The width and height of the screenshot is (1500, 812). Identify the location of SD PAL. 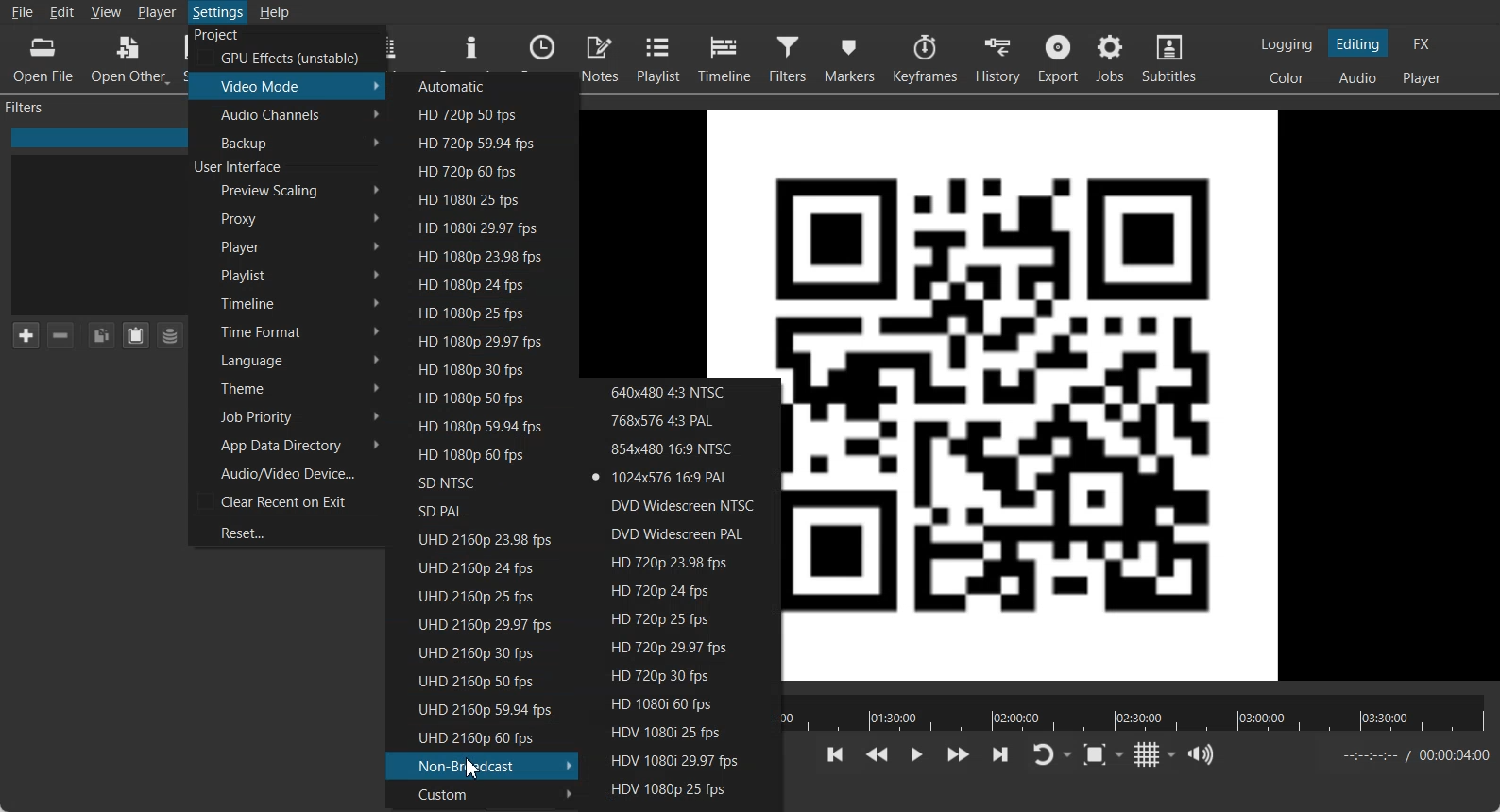
(473, 510).